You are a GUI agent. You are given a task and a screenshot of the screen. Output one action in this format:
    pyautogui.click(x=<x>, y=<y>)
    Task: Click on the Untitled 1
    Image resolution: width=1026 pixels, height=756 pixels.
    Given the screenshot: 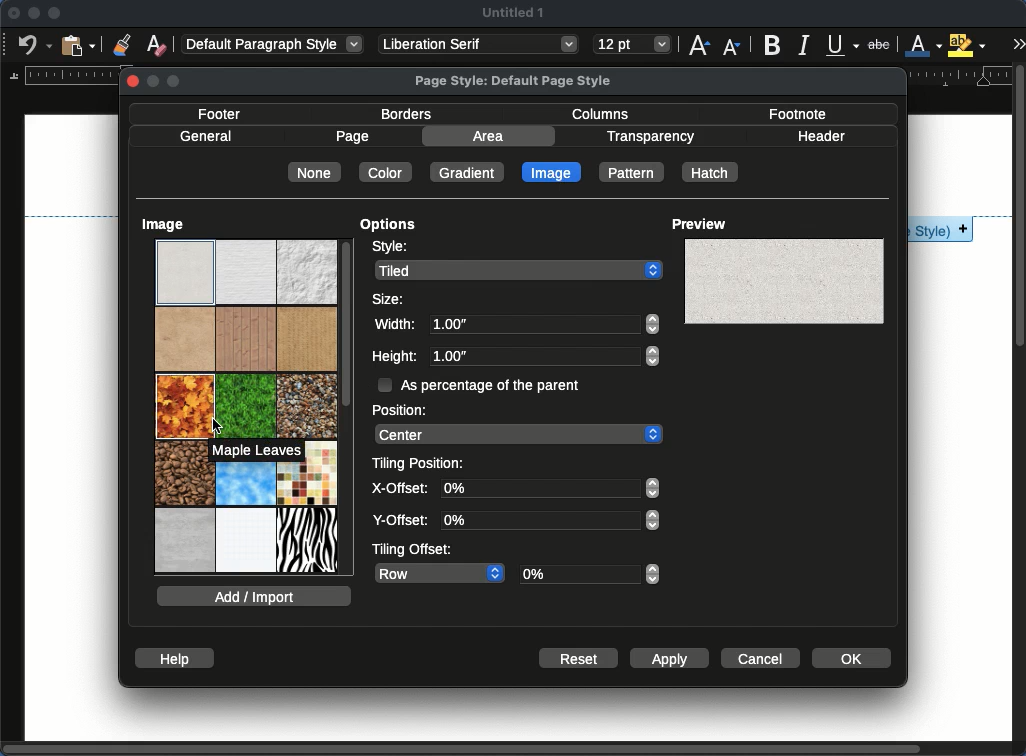 What is the action you would take?
    pyautogui.click(x=512, y=13)
    